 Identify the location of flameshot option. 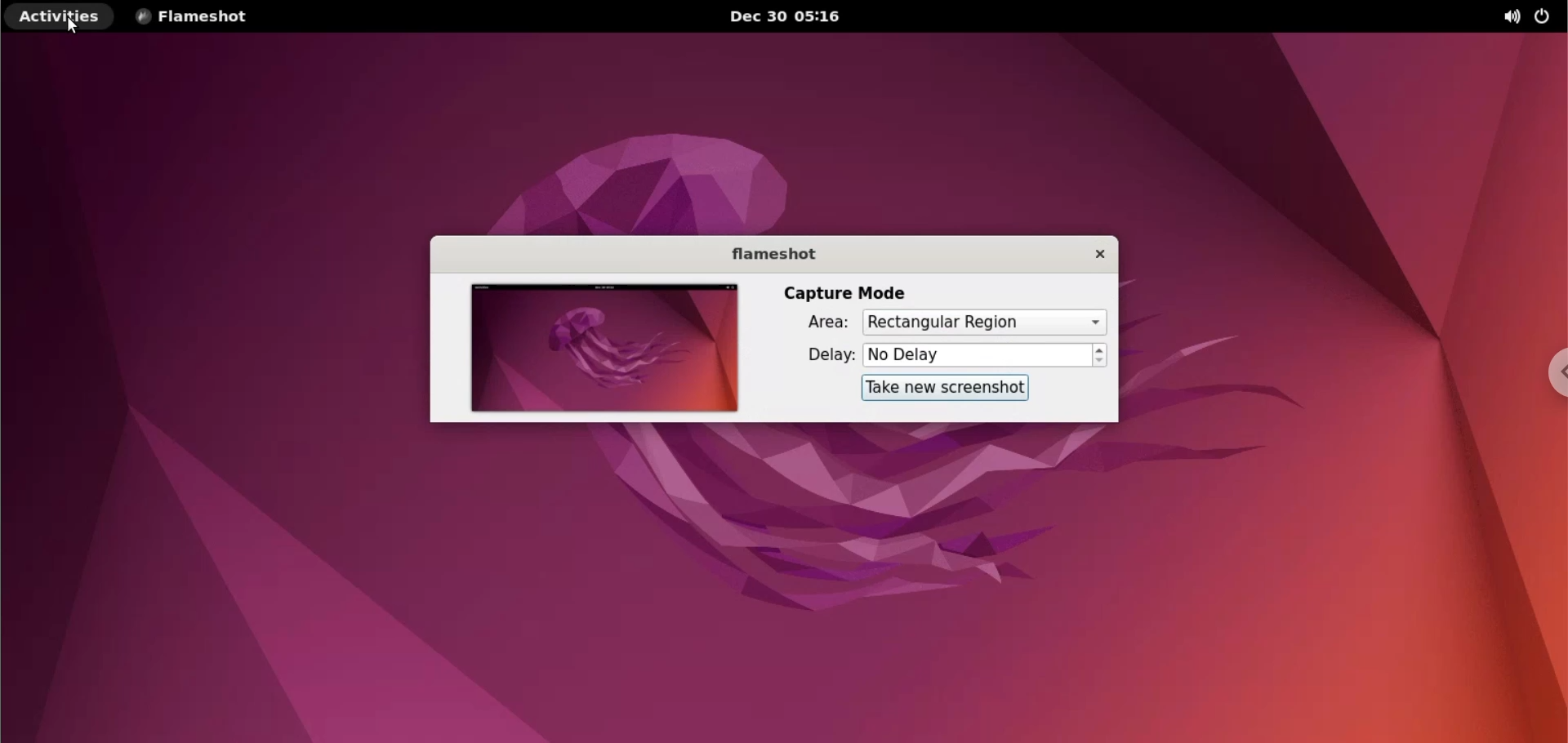
(200, 17).